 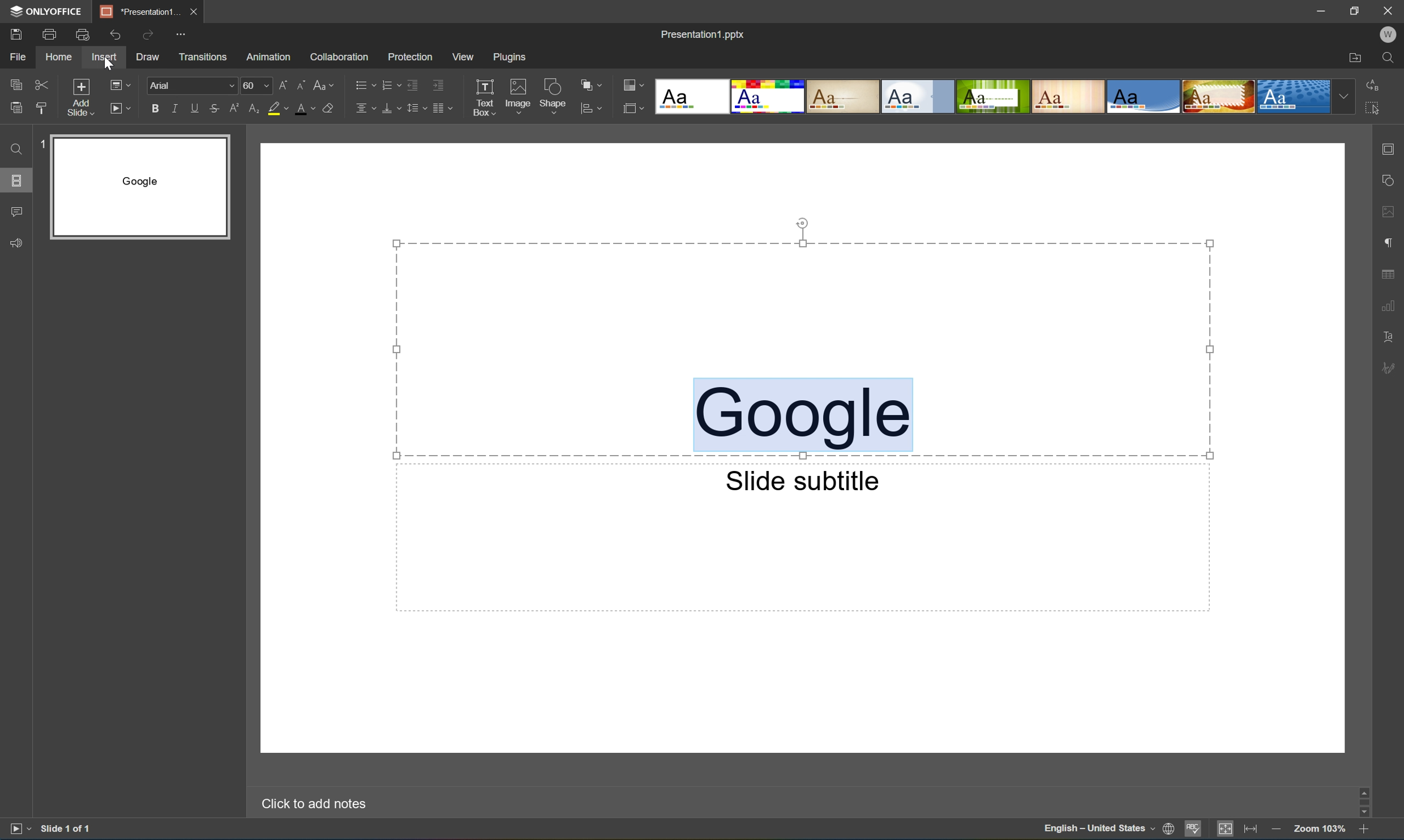 What do you see at coordinates (1343, 95) in the screenshot?
I see `Drop down` at bounding box center [1343, 95].